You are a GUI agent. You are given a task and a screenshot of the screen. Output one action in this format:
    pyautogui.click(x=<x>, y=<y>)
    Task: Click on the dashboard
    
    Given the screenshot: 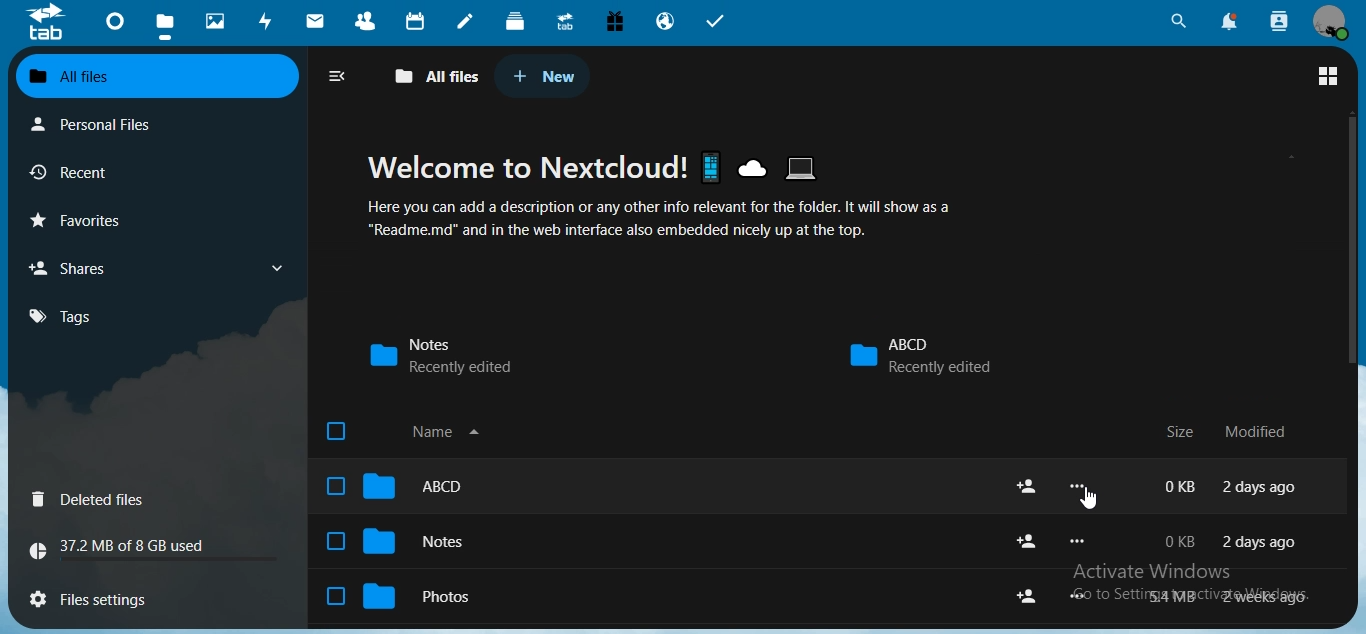 What is the action you would take?
    pyautogui.click(x=113, y=21)
    